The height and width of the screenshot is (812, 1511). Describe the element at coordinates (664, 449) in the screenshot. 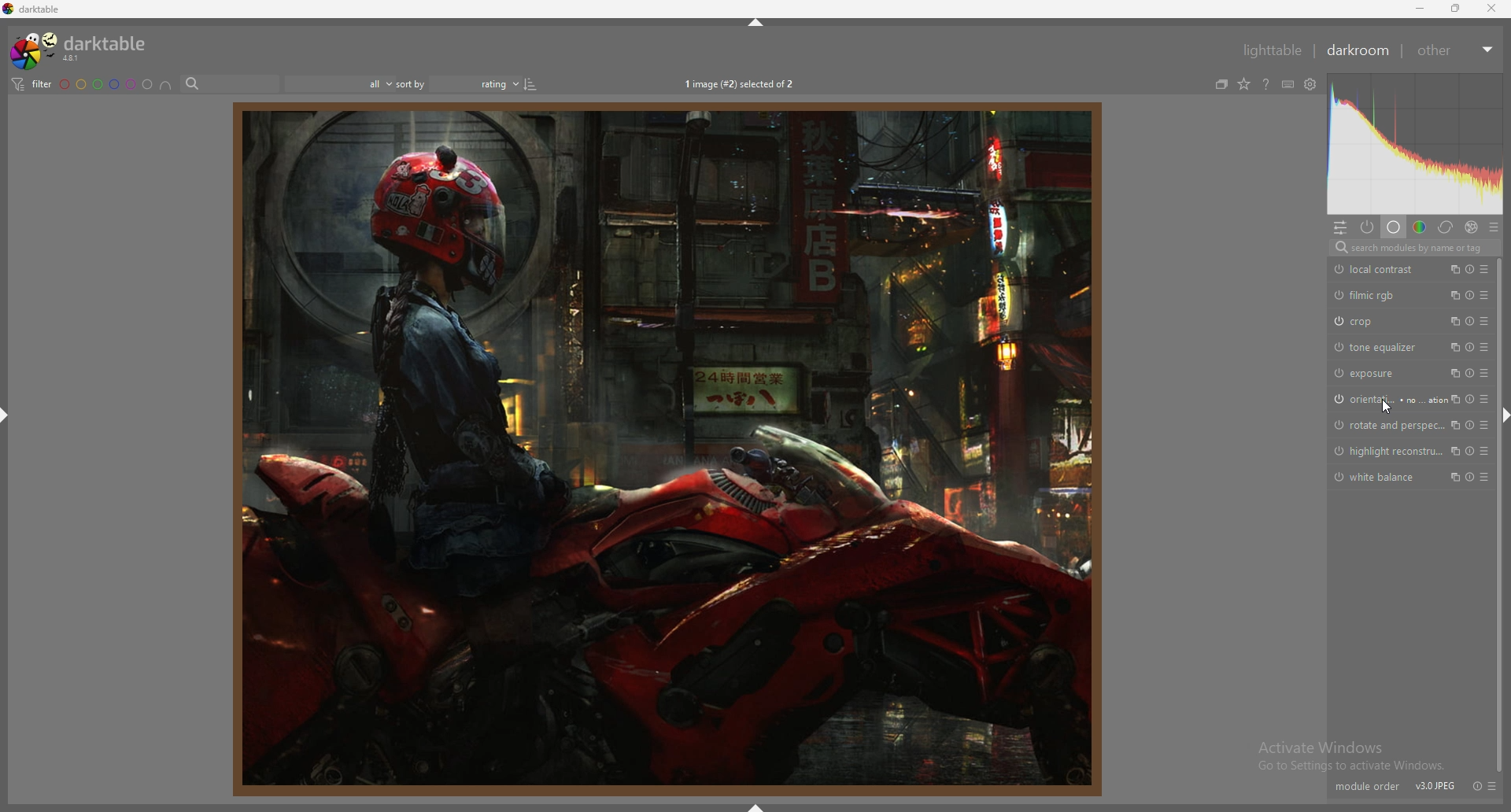

I see `image` at that location.